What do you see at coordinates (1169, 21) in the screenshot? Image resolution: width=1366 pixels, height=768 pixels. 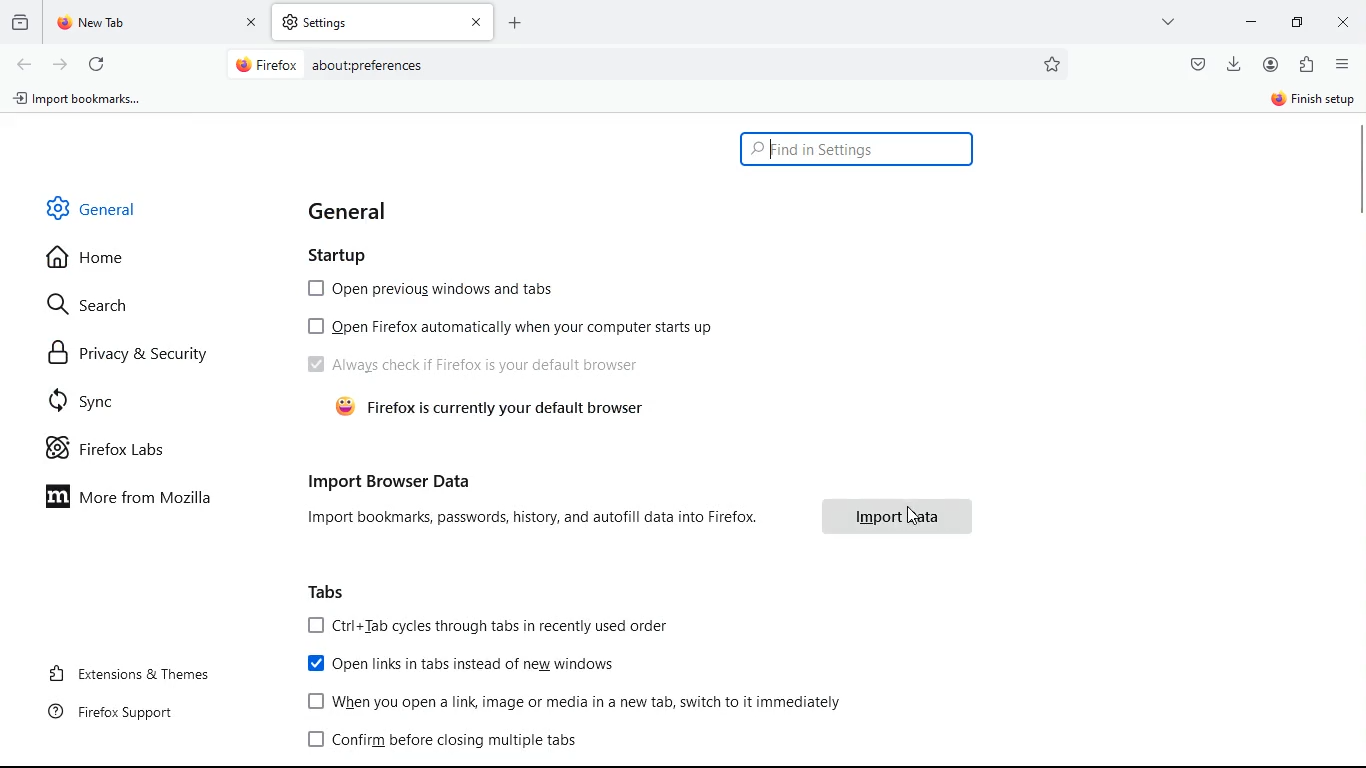 I see `more` at bounding box center [1169, 21].